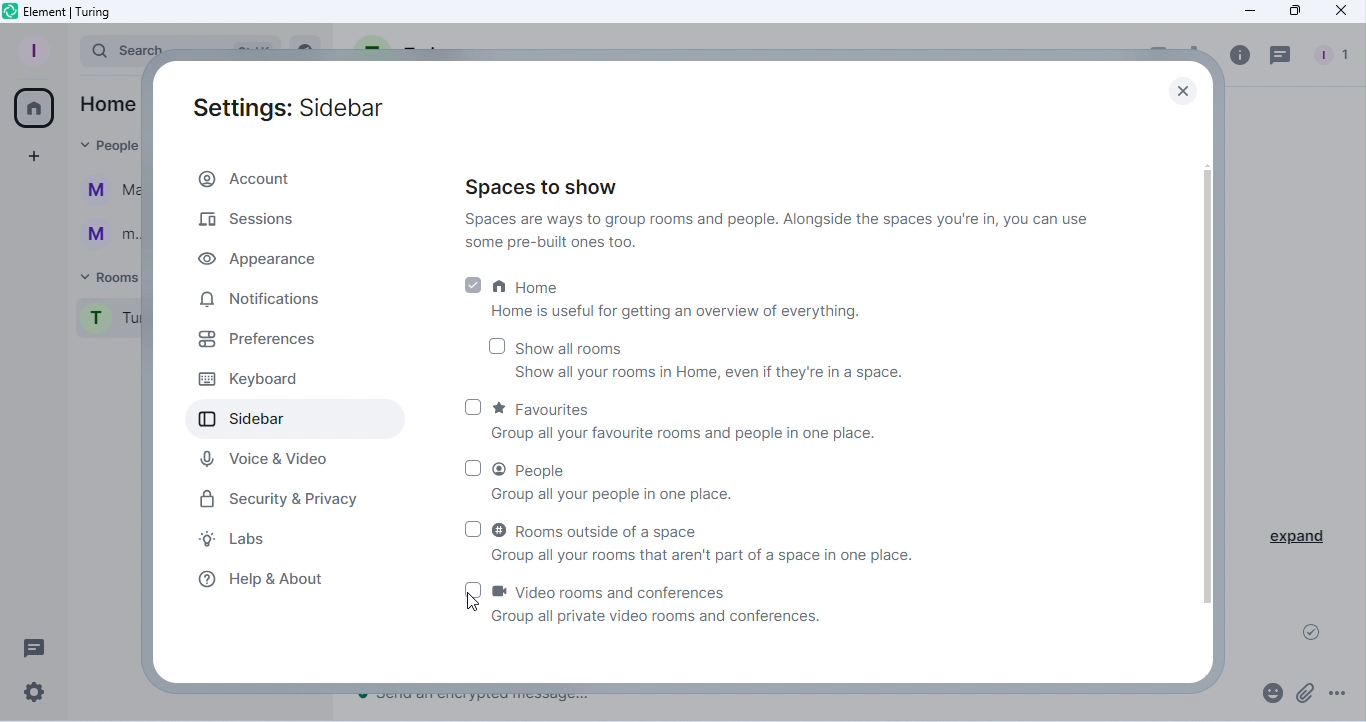 This screenshot has width=1366, height=722. What do you see at coordinates (725, 419) in the screenshot?
I see `Favourites` at bounding box center [725, 419].